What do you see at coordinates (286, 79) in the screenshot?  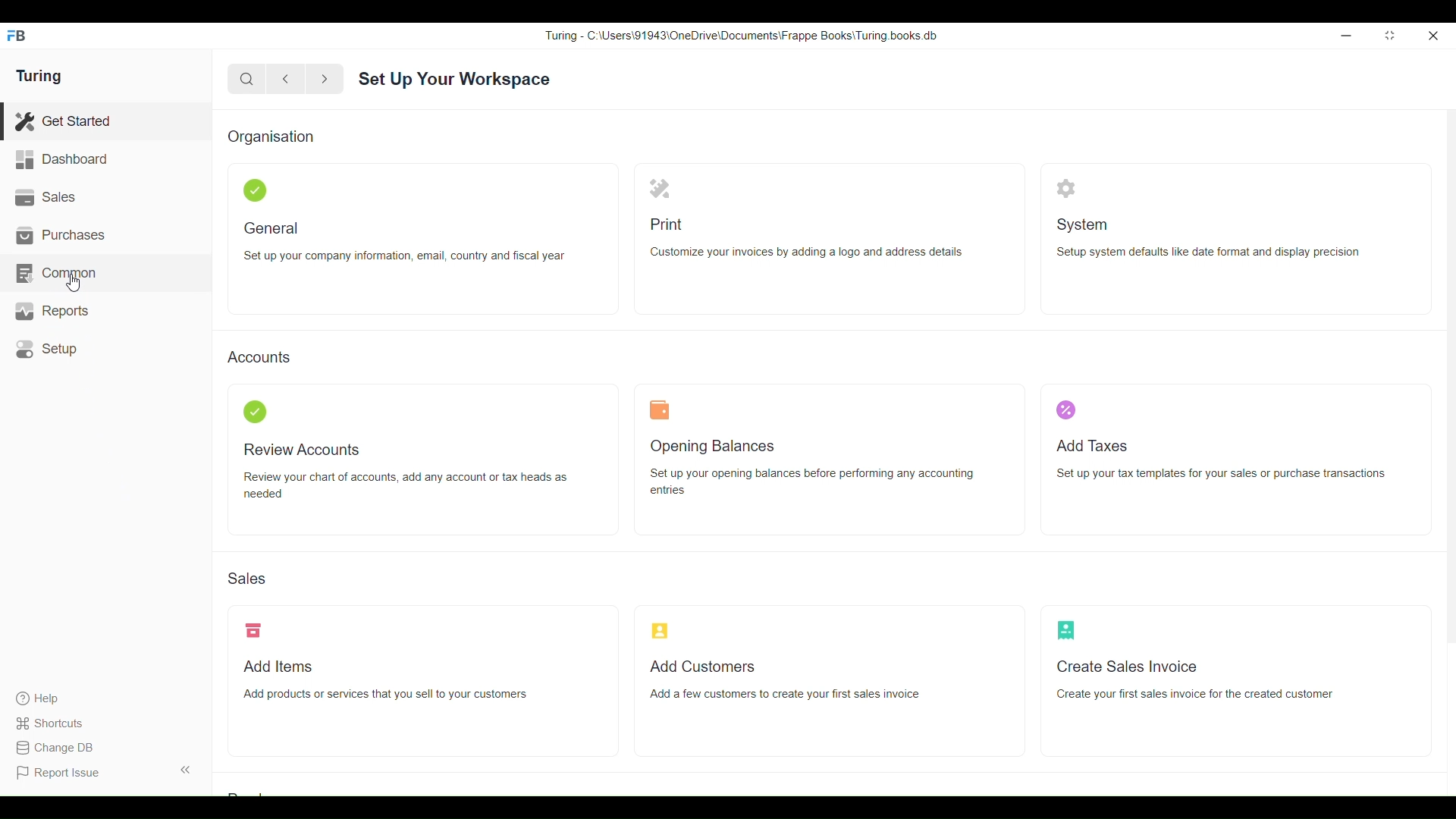 I see `Previous` at bounding box center [286, 79].